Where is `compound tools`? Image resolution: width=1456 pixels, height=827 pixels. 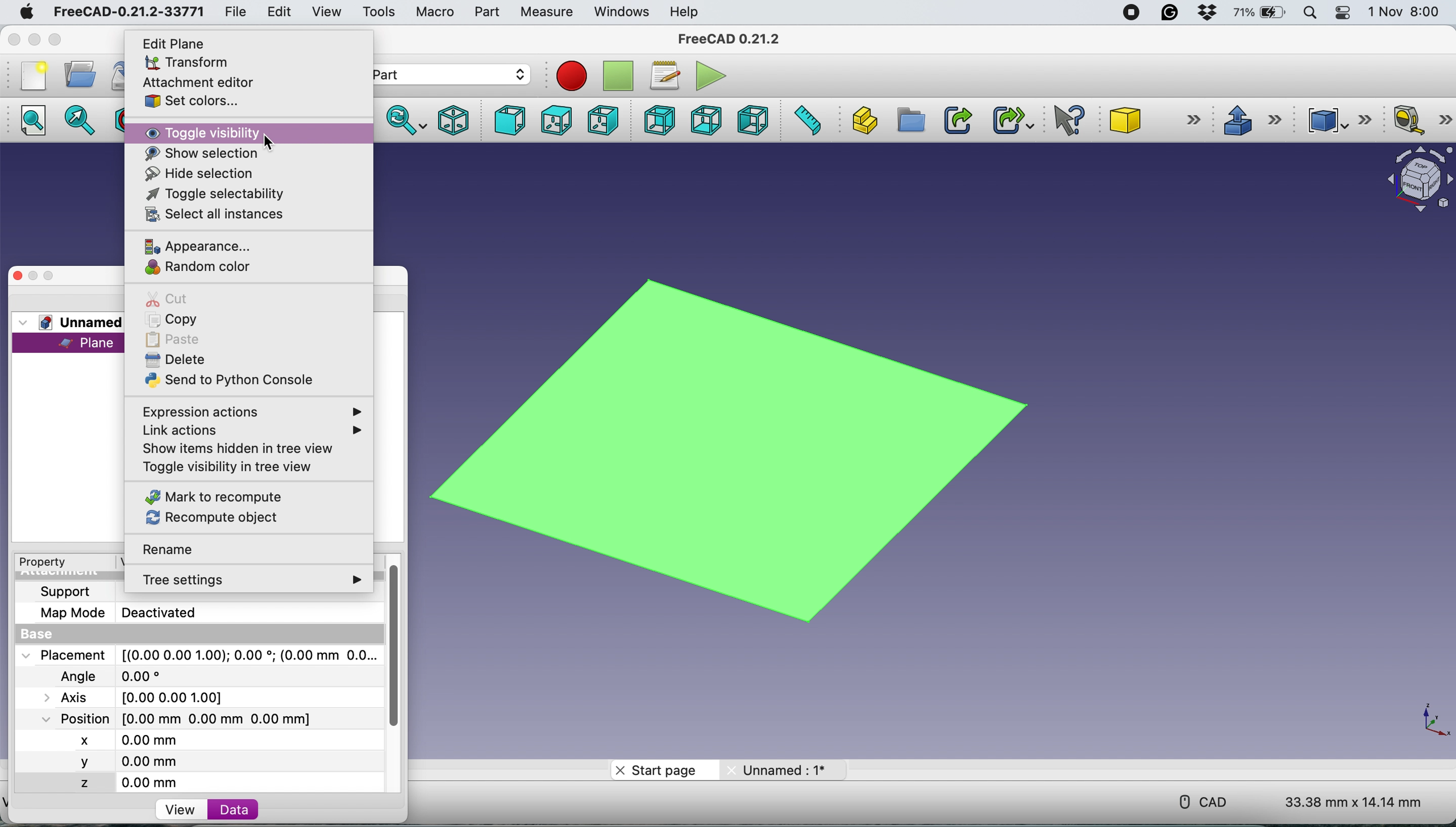
compound tools is located at coordinates (1342, 117).